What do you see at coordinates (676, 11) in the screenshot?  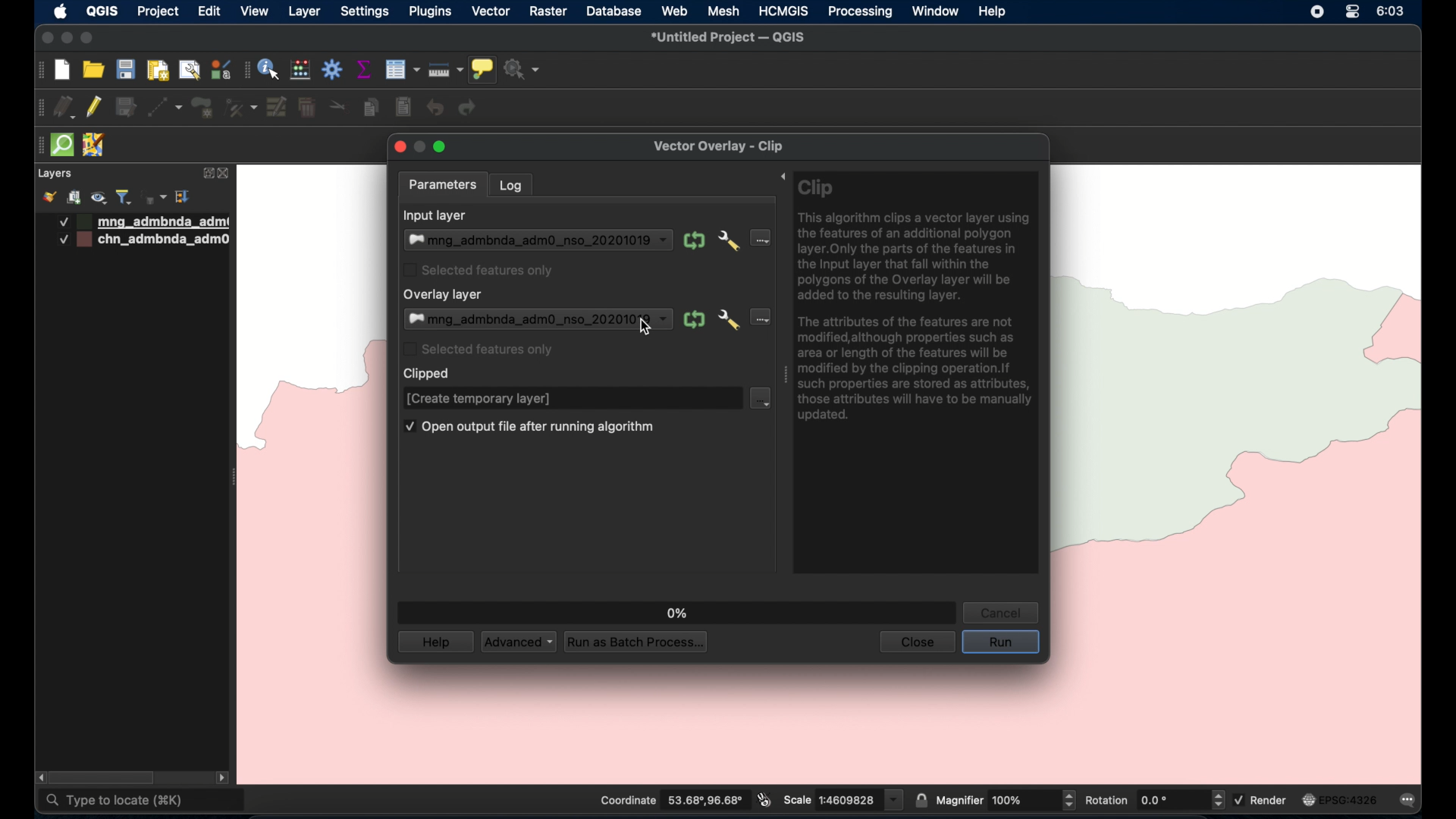 I see `web` at bounding box center [676, 11].